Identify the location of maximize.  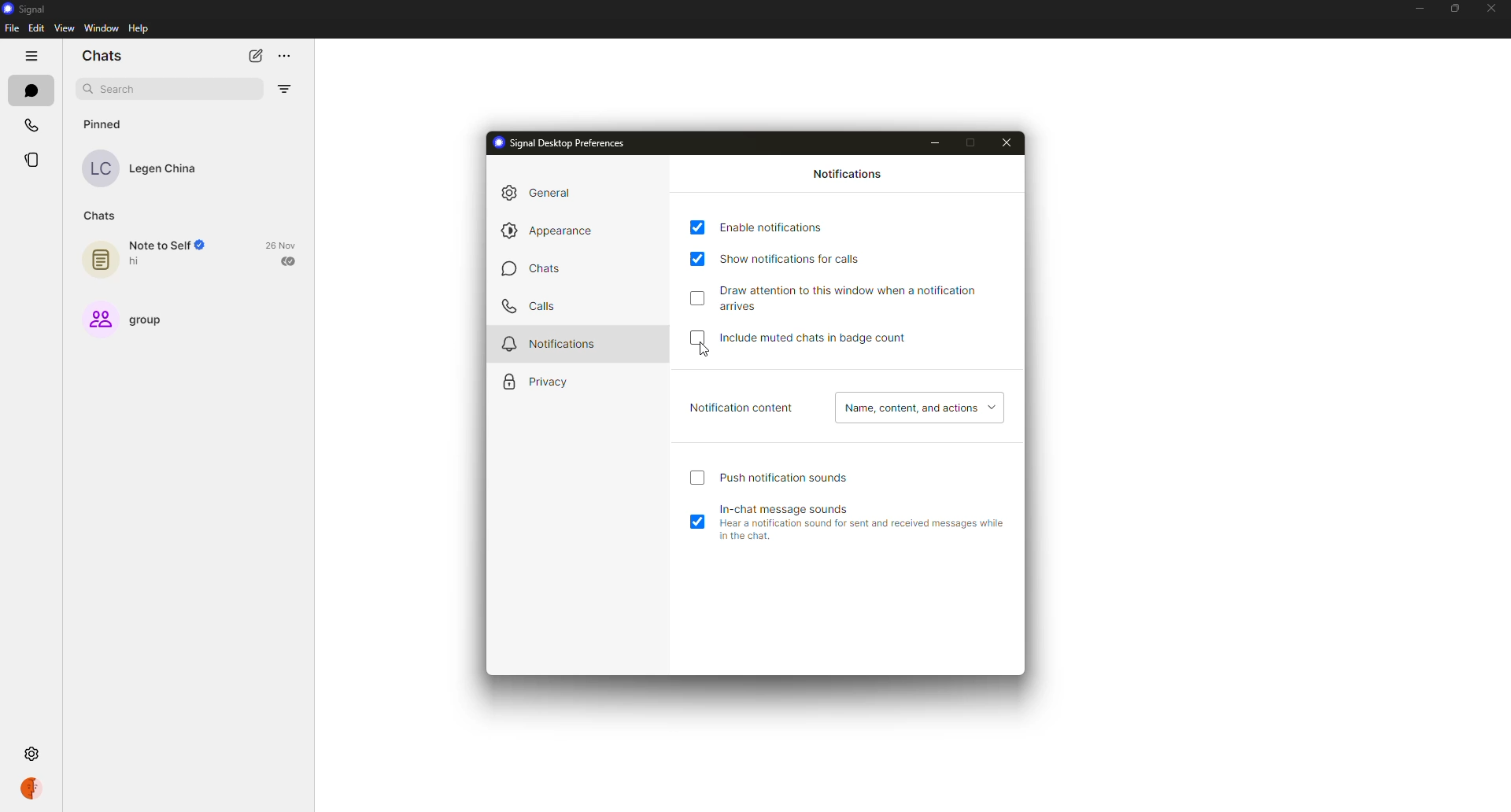
(980, 142).